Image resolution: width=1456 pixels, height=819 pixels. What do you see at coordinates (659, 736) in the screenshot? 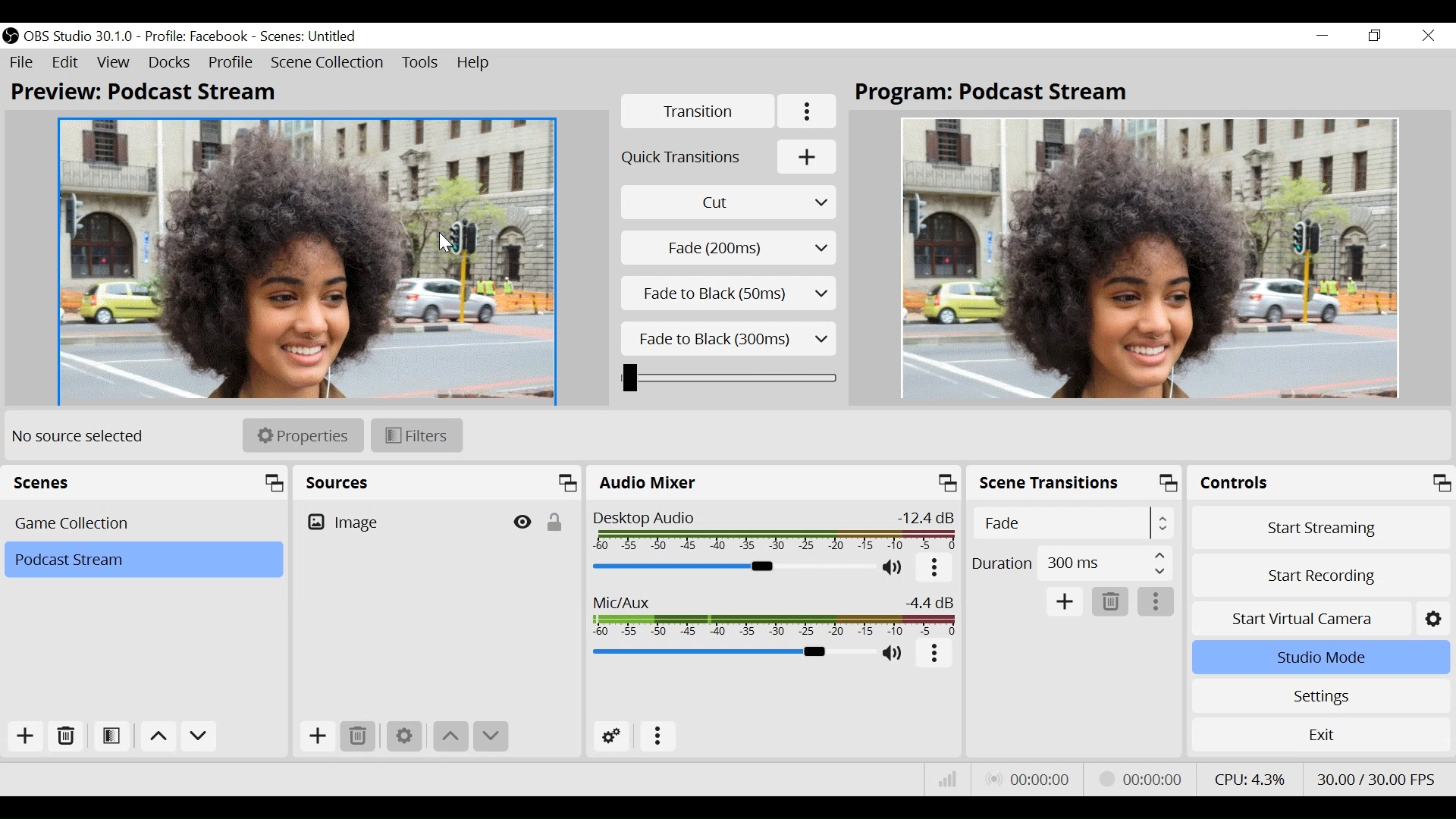
I see `more options` at bounding box center [659, 736].